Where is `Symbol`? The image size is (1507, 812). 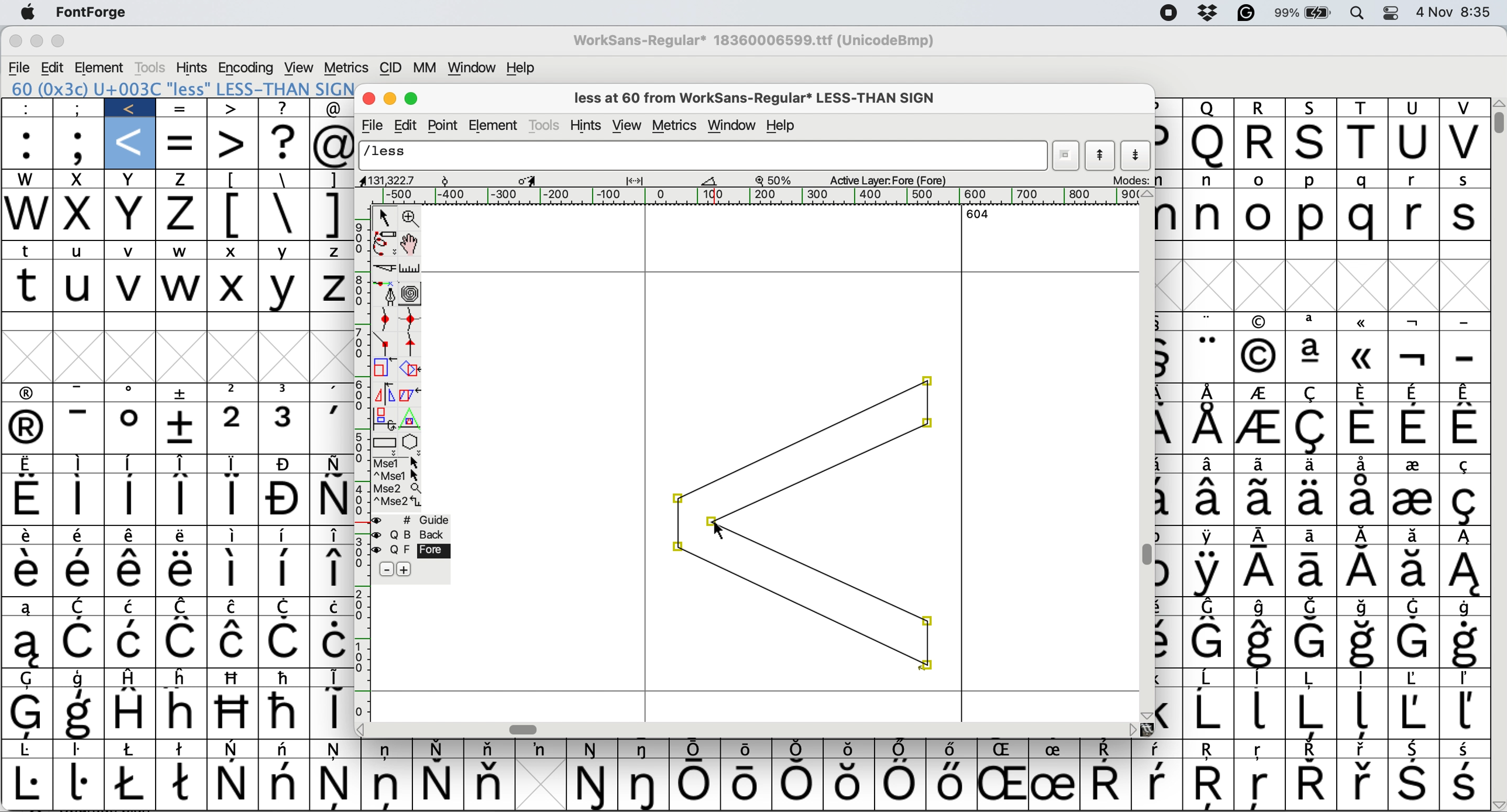 Symbol is located at coordinates (236, 676).